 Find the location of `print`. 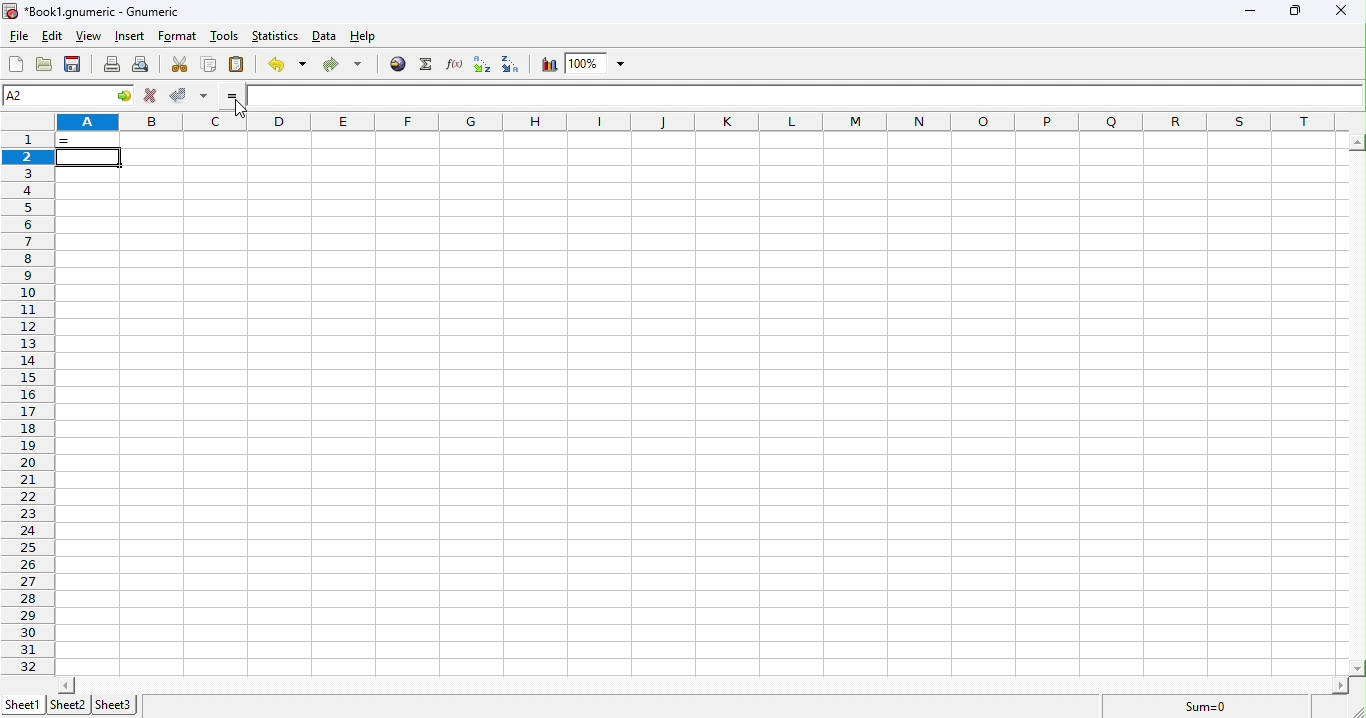

print is located at coordinates (113, 66).